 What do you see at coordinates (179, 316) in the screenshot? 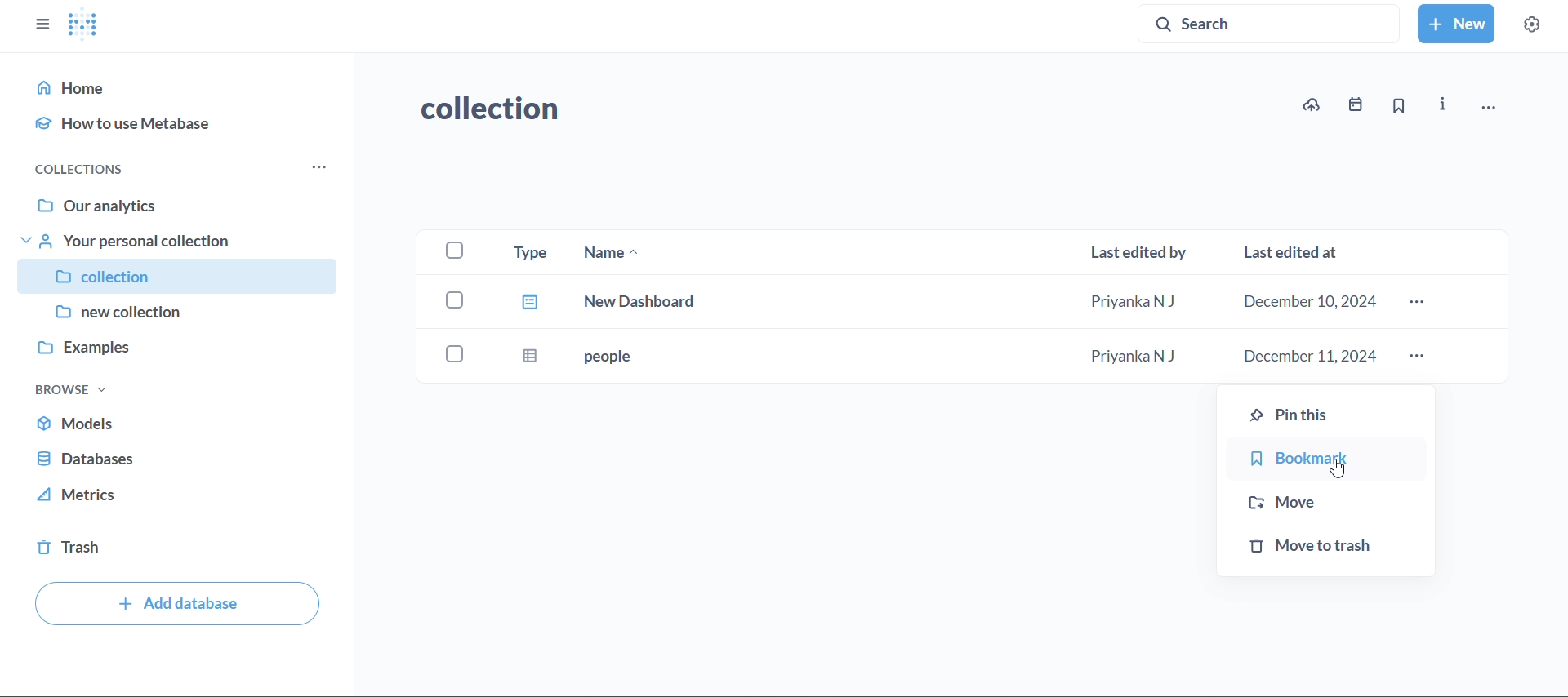
I see `new collection ` at bounding box center [179, 316].